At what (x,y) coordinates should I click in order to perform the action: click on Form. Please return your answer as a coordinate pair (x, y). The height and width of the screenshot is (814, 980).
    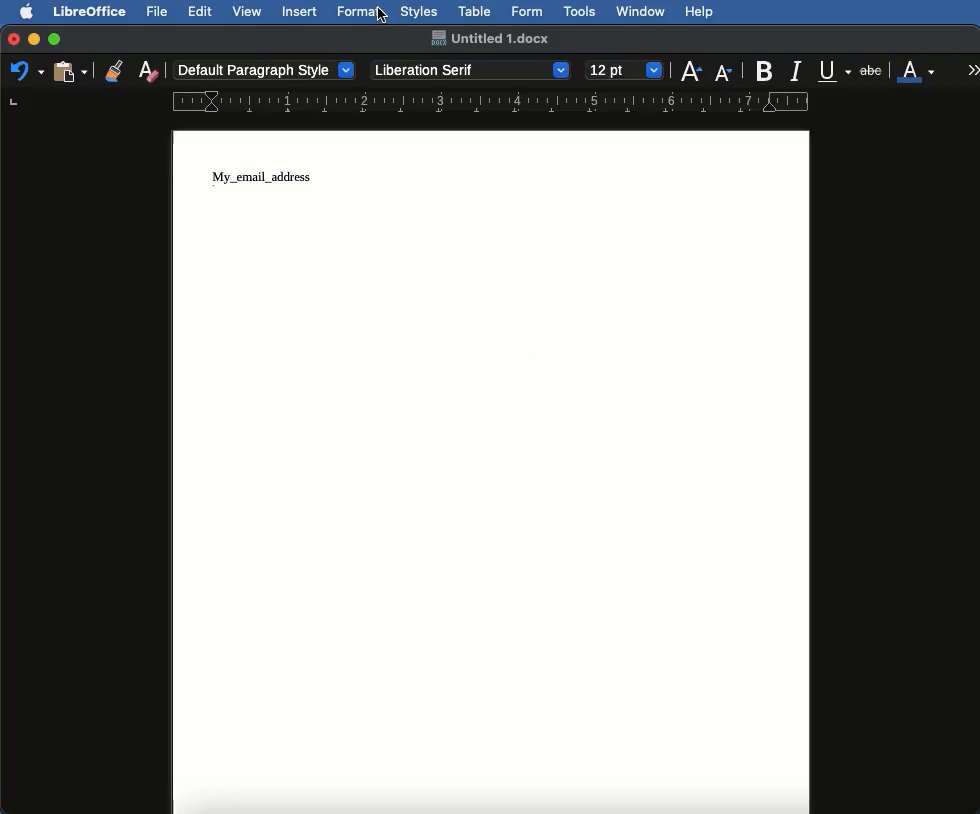
    Looking at the image, I should click on (527, 12).